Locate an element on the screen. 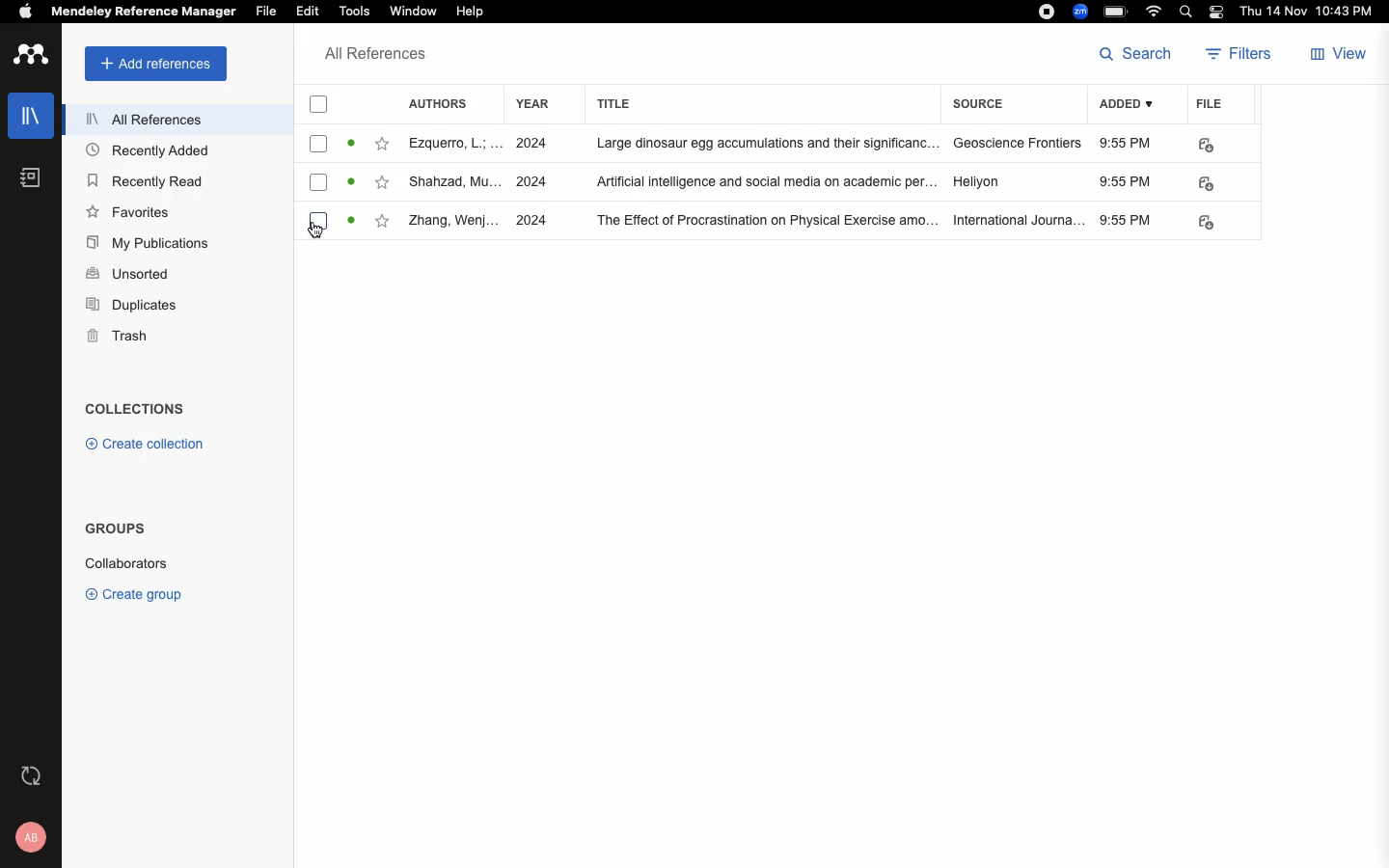 Image resolution: width=1389 pixels, height=868 pixels. 2024 is located at coordinates (531, 222).